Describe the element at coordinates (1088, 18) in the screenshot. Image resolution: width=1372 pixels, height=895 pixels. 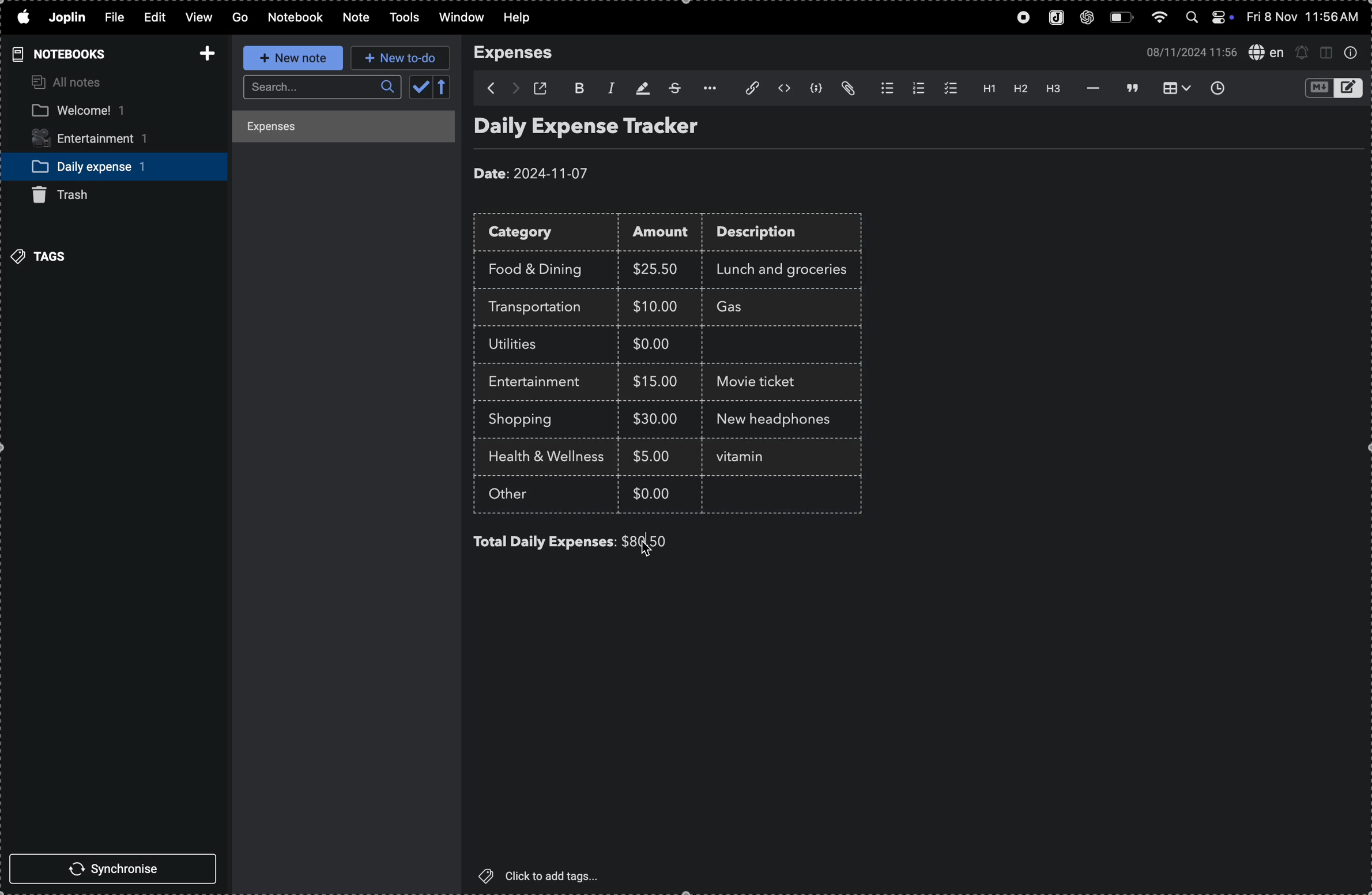
I see `chatgpt` at that location.